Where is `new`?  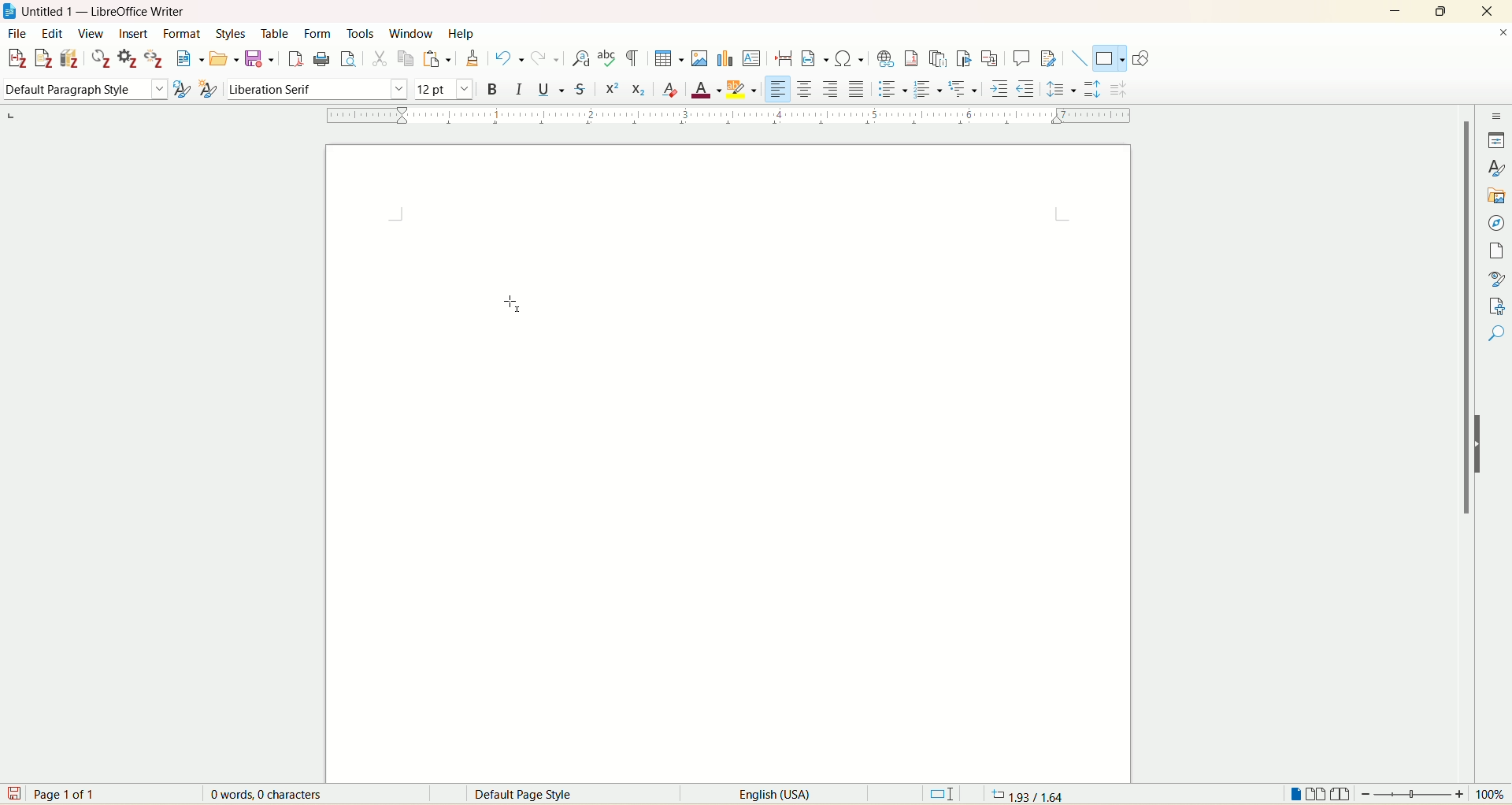 new is located at coordinates (190, 58).